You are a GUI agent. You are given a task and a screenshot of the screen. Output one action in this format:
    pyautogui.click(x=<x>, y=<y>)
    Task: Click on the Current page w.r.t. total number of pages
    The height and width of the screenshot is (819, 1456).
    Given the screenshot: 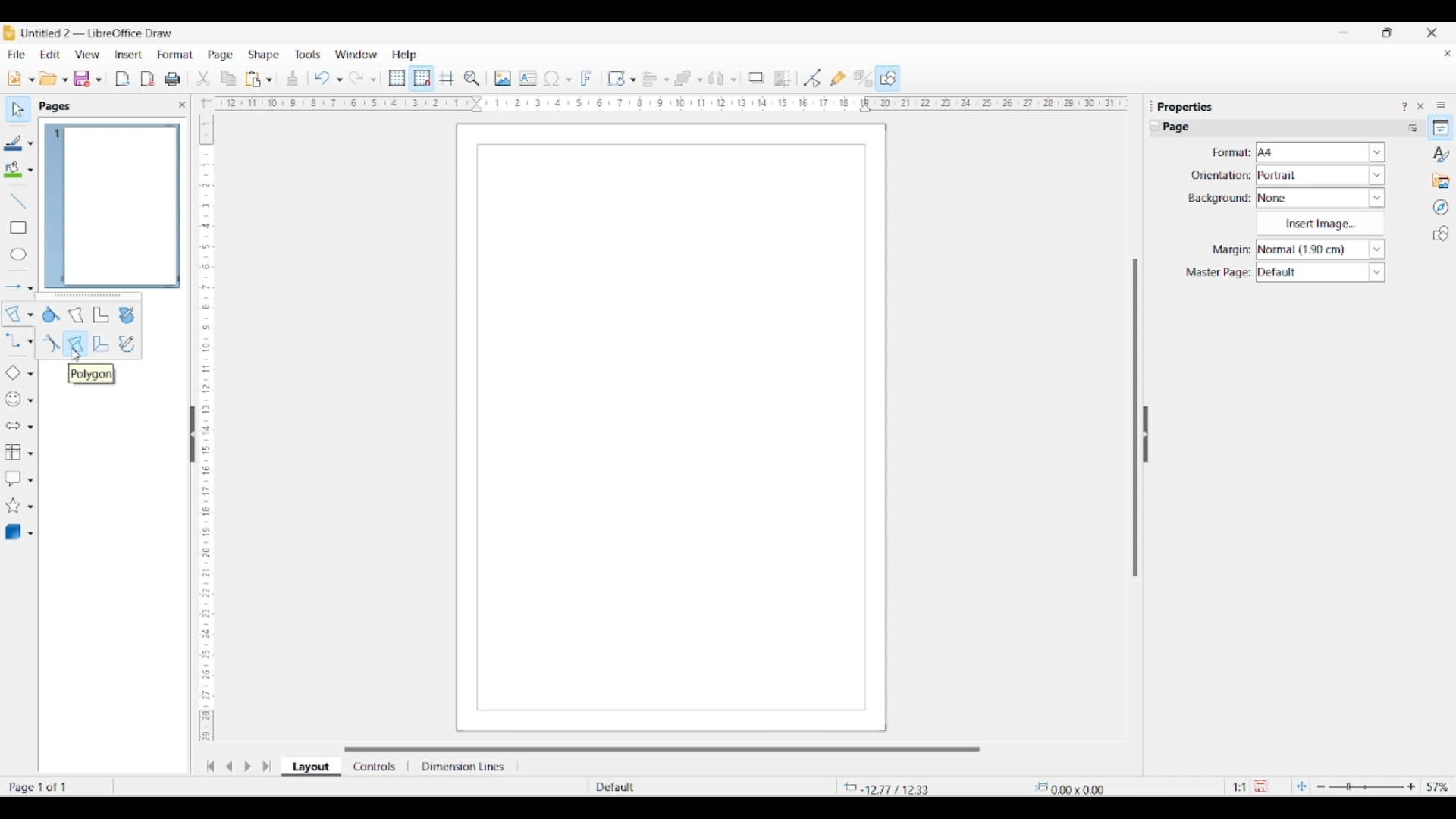 What is the action you would take?
    pyautogui.click(x=56, y=786)
    